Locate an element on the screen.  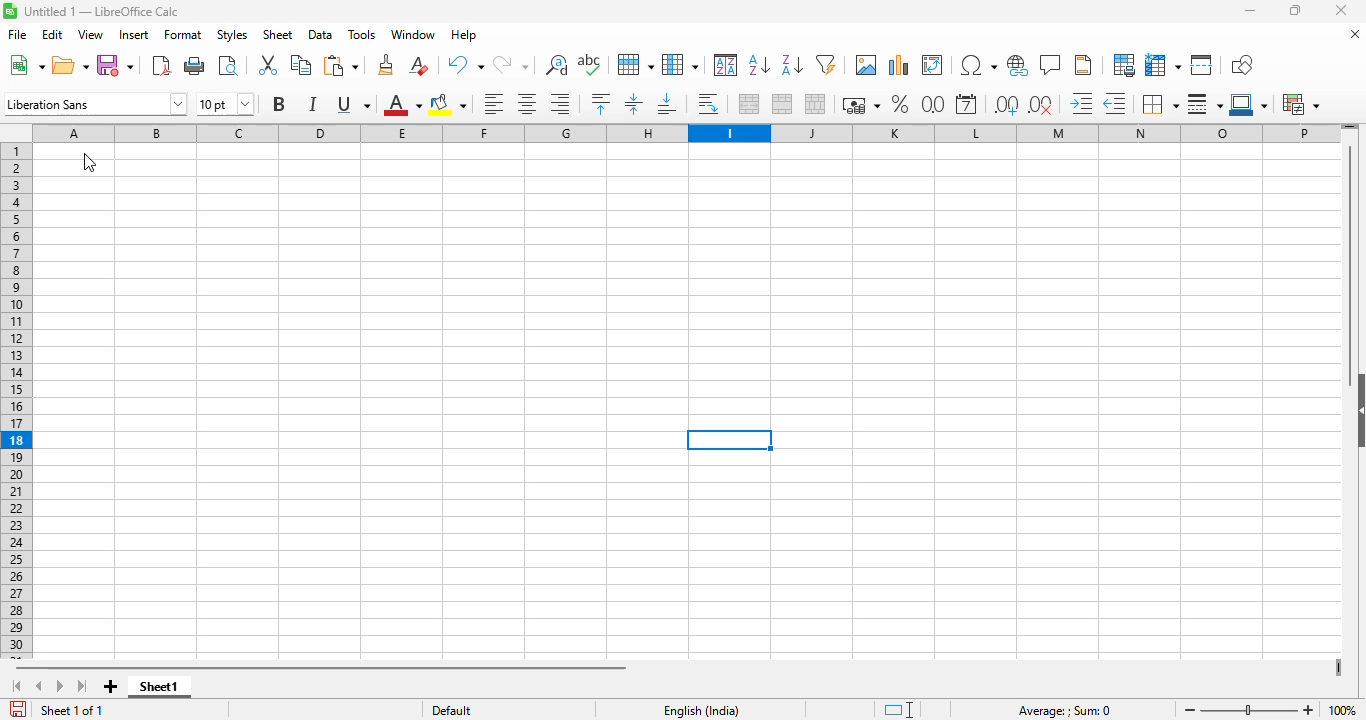
clone formatting is located at coordinates (385, 65).